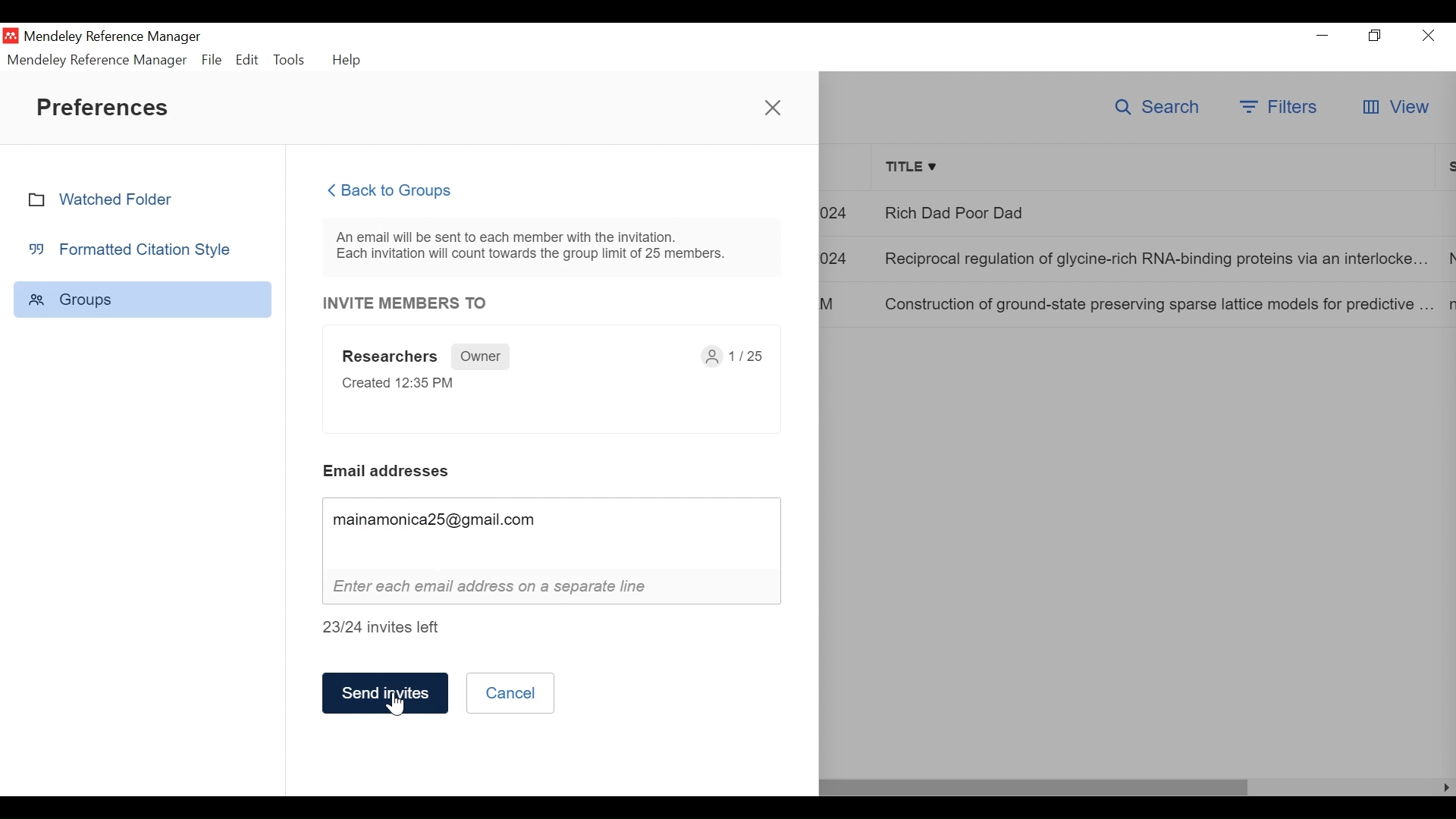  Describe the element at coordinates (391, 629) in the screenshot. I see `24/24 invites left` at that location.